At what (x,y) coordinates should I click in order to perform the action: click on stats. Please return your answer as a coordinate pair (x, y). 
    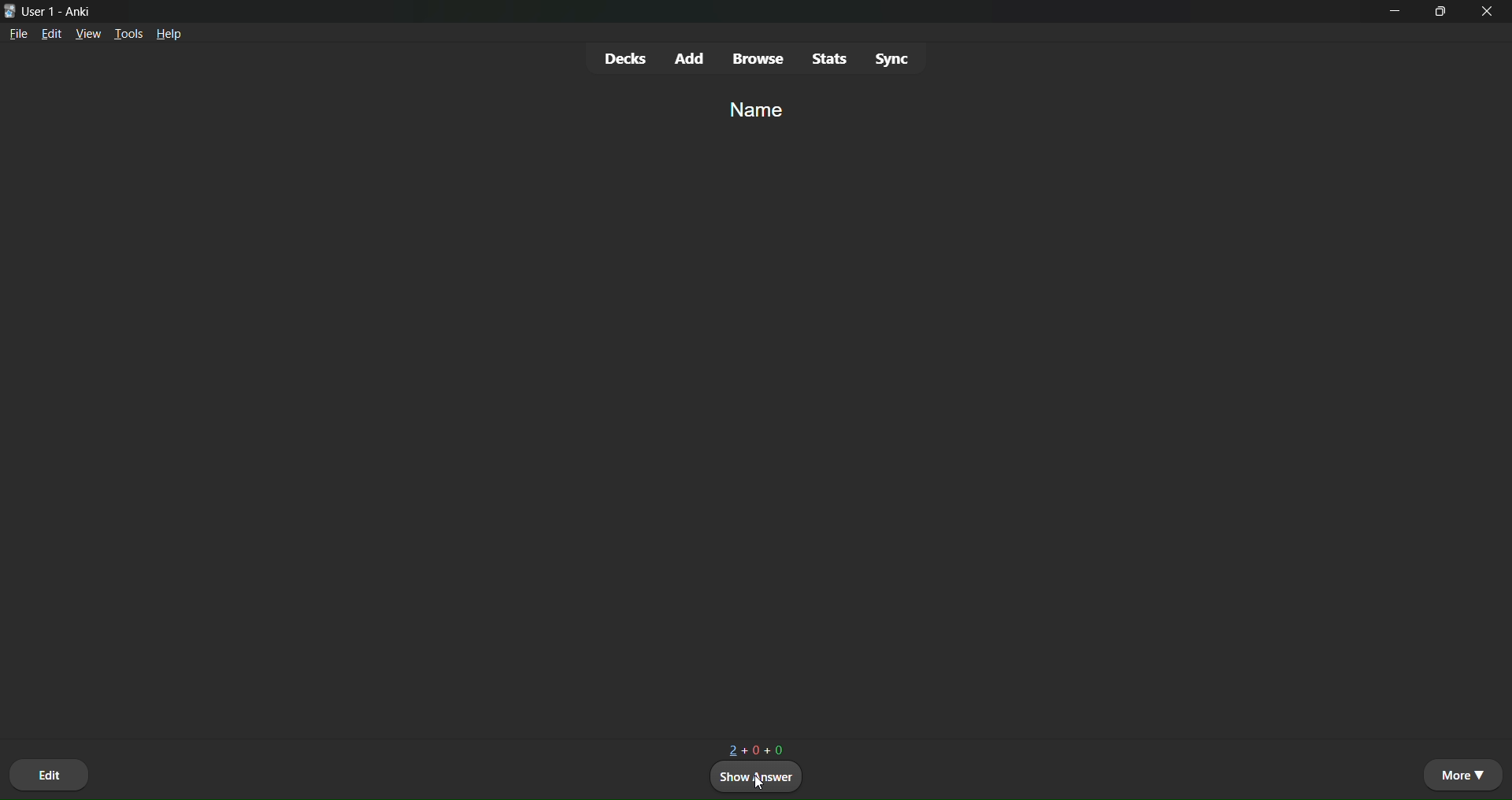
    Looking at the image, I should click on (828, 57).